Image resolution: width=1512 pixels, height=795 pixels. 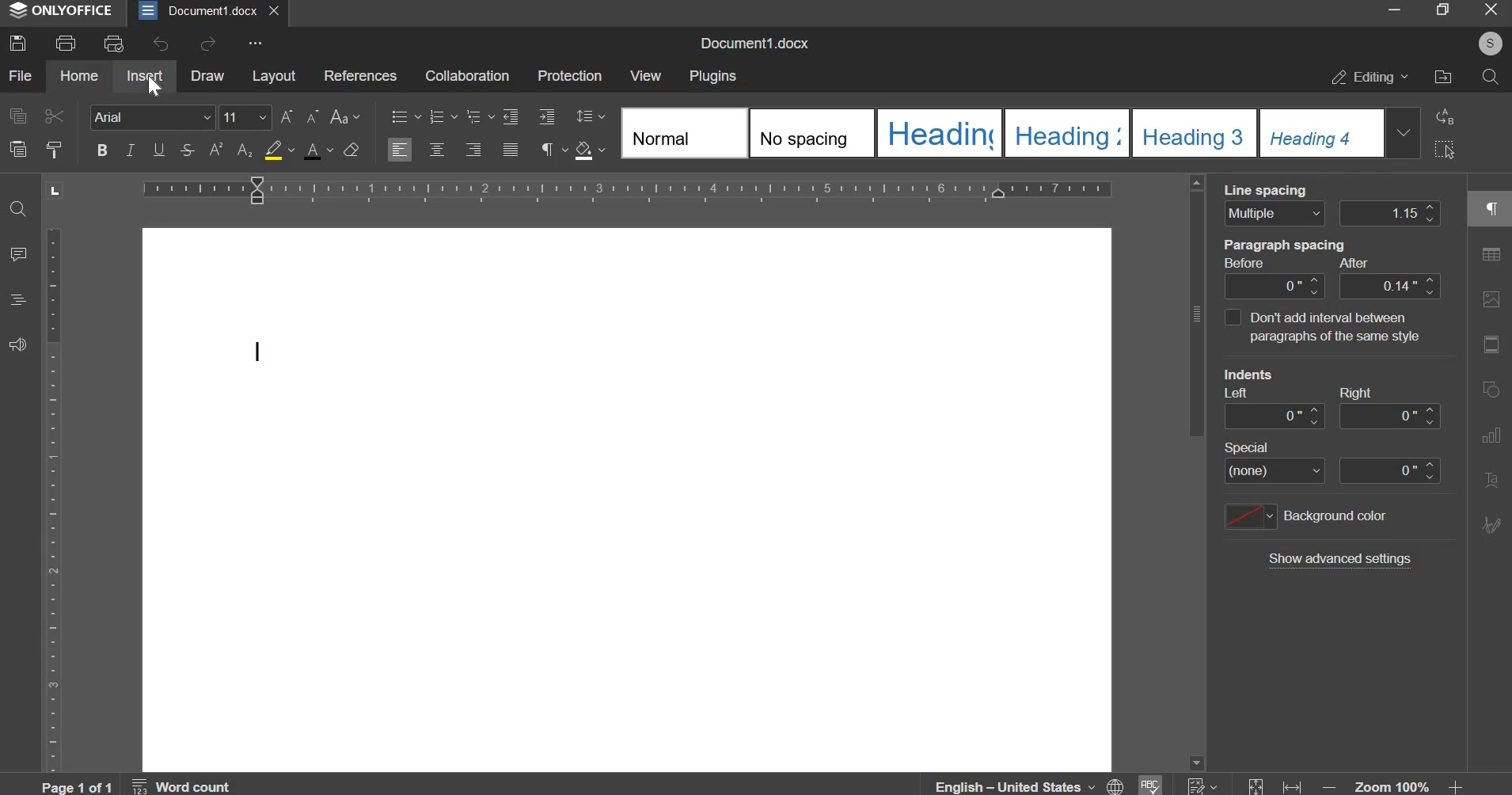 I want to click on headings, so click(x=16, y=299).